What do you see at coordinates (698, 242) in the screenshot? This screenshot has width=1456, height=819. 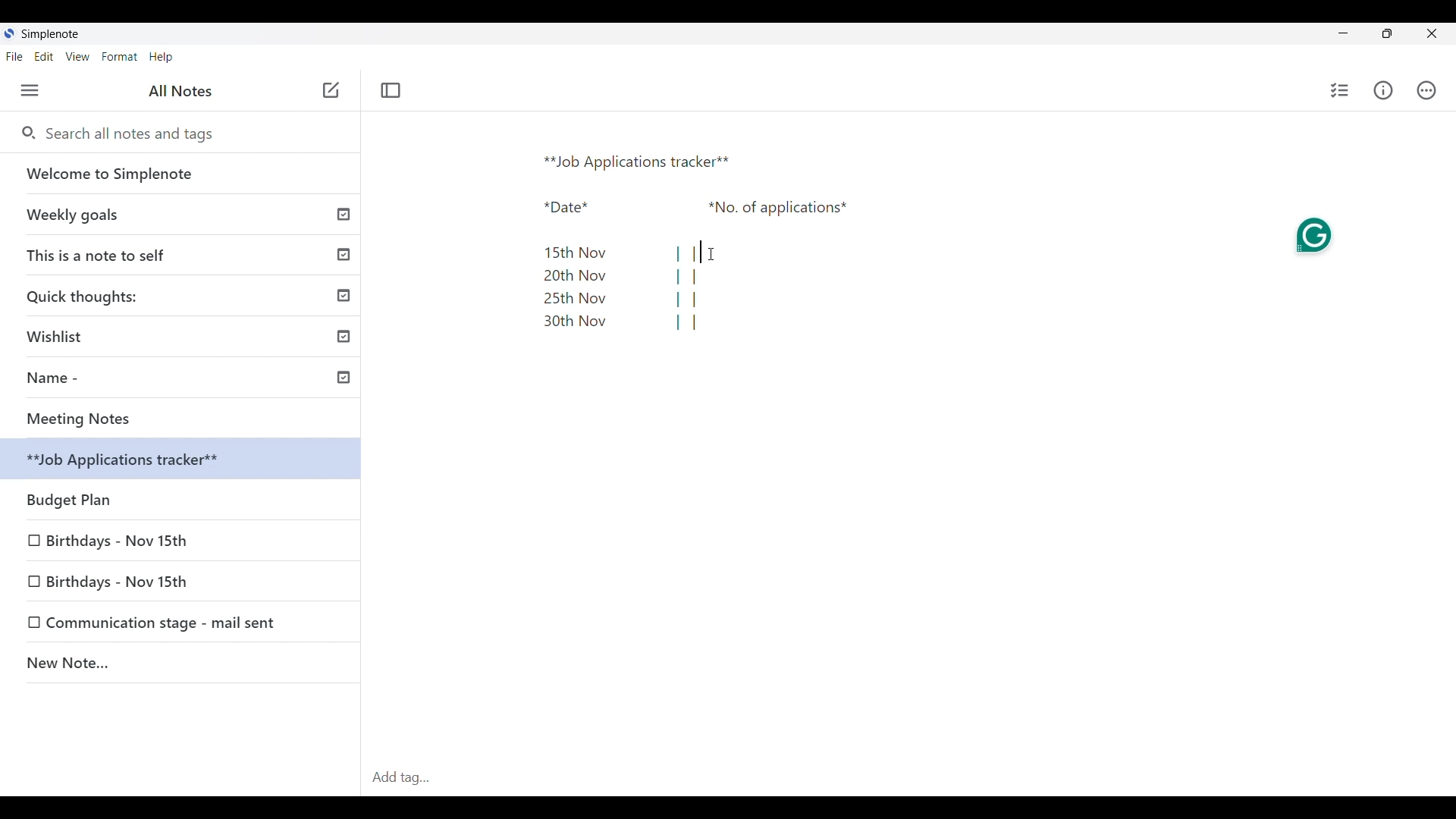 I see `Text pasted` at bounding box center [698, 242].